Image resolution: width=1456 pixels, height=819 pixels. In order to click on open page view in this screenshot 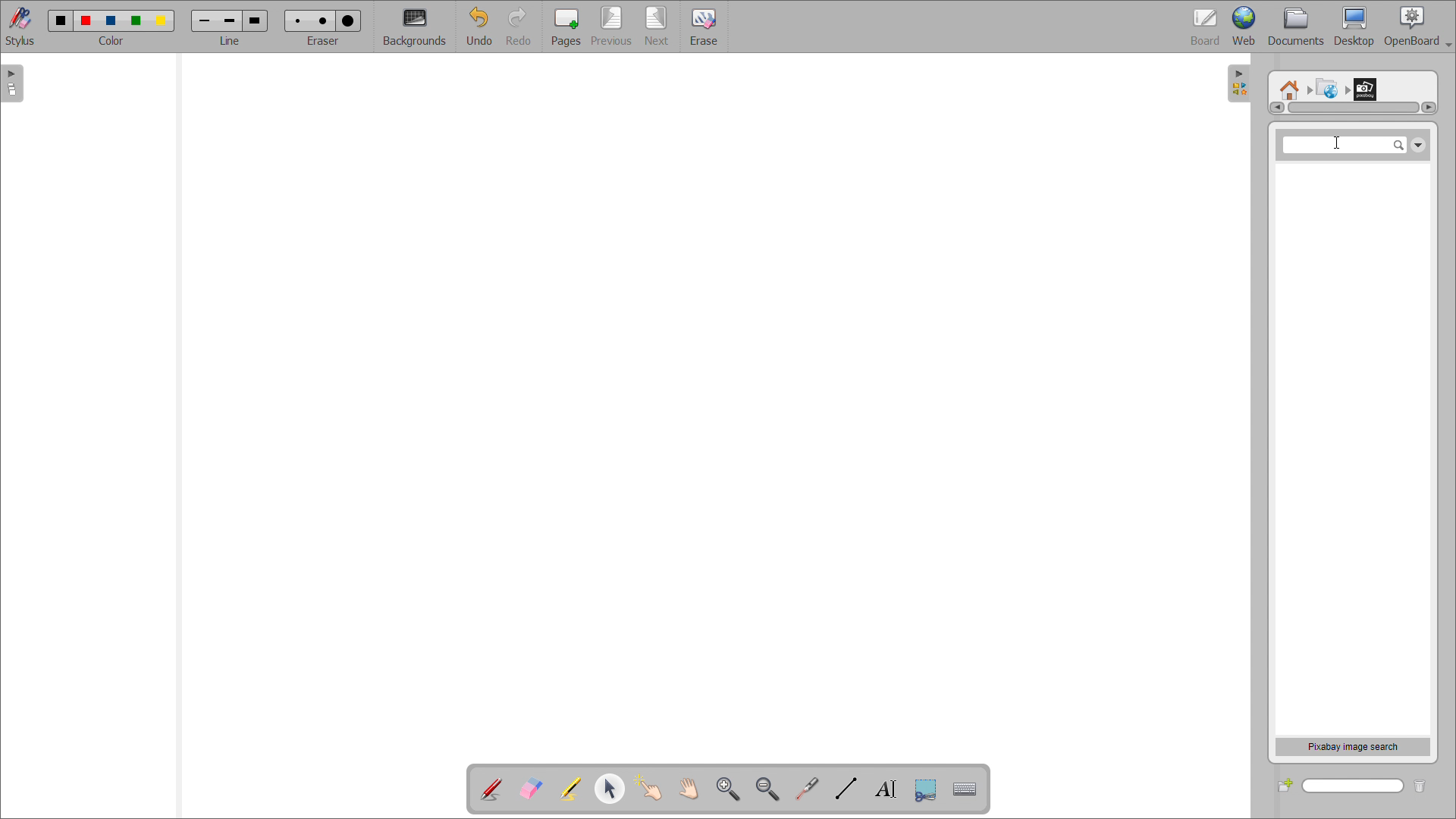, I will do `click(12, 83)`.